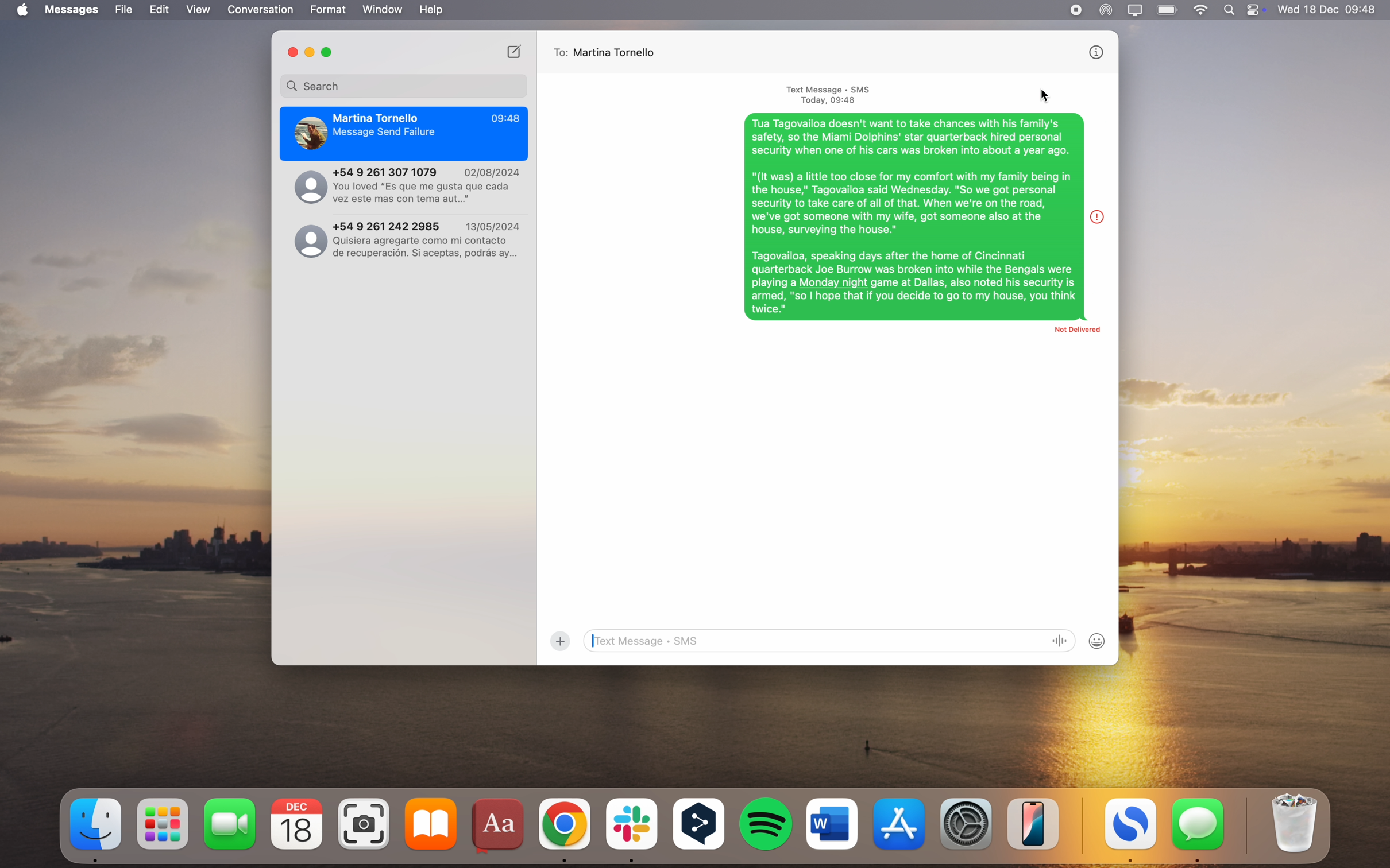 The image size is (1390, 868). I want to click on Slack, so click(631, 830).